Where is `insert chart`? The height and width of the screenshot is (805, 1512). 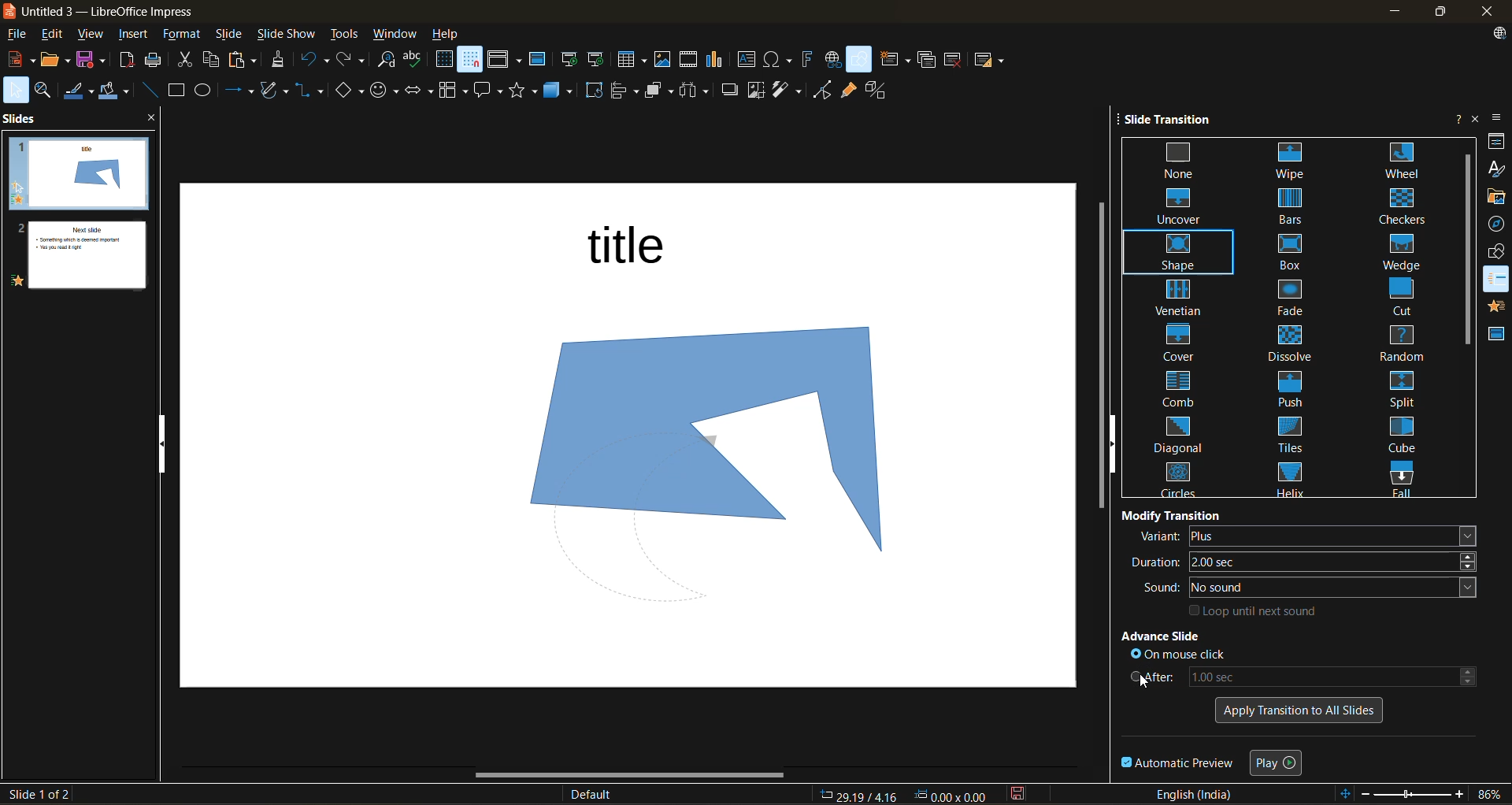 insert chart is located at coordinates (721, 61).